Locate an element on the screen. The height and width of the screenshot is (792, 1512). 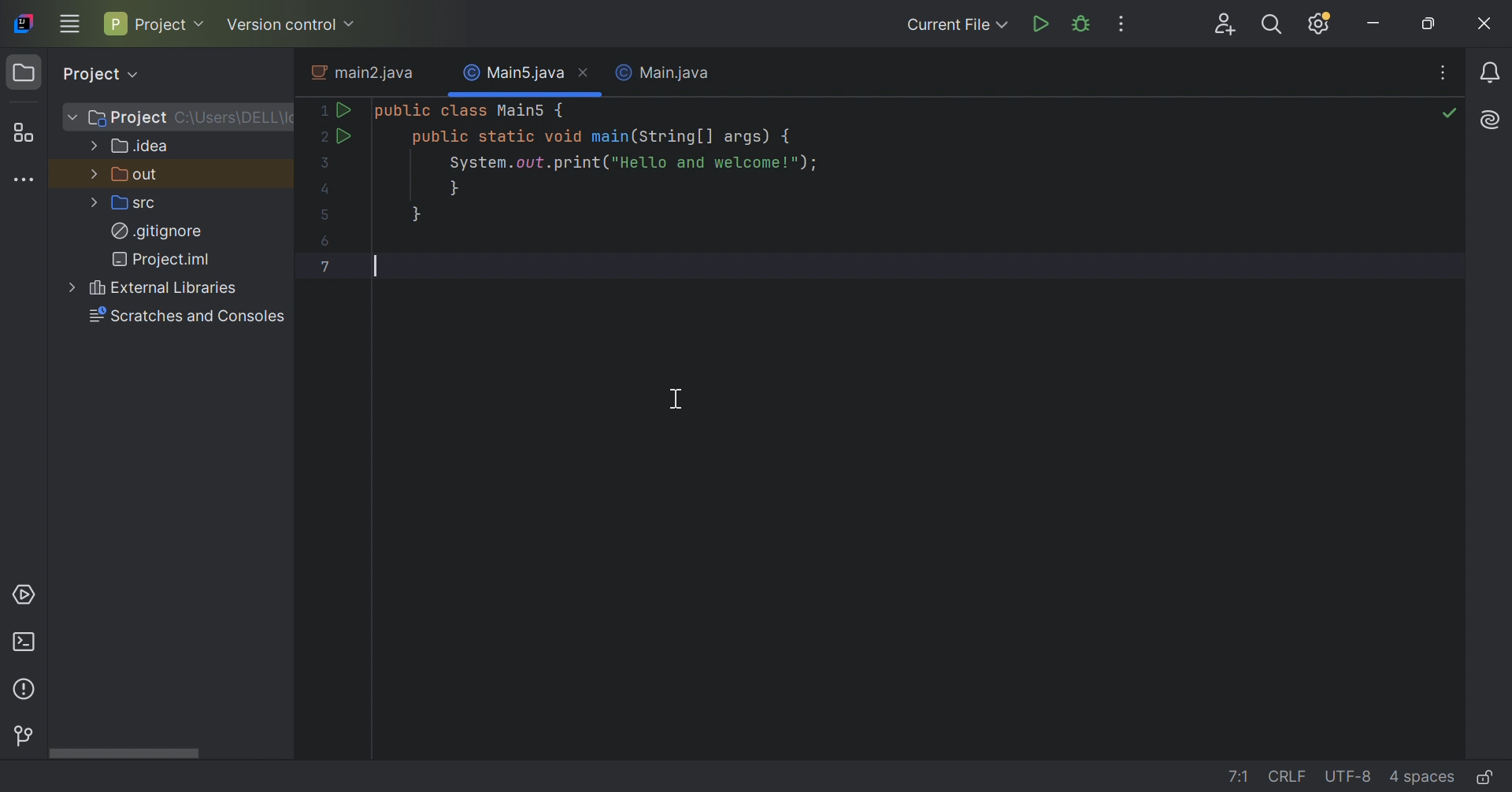
.gitignore is located at coordinates (157, 229).